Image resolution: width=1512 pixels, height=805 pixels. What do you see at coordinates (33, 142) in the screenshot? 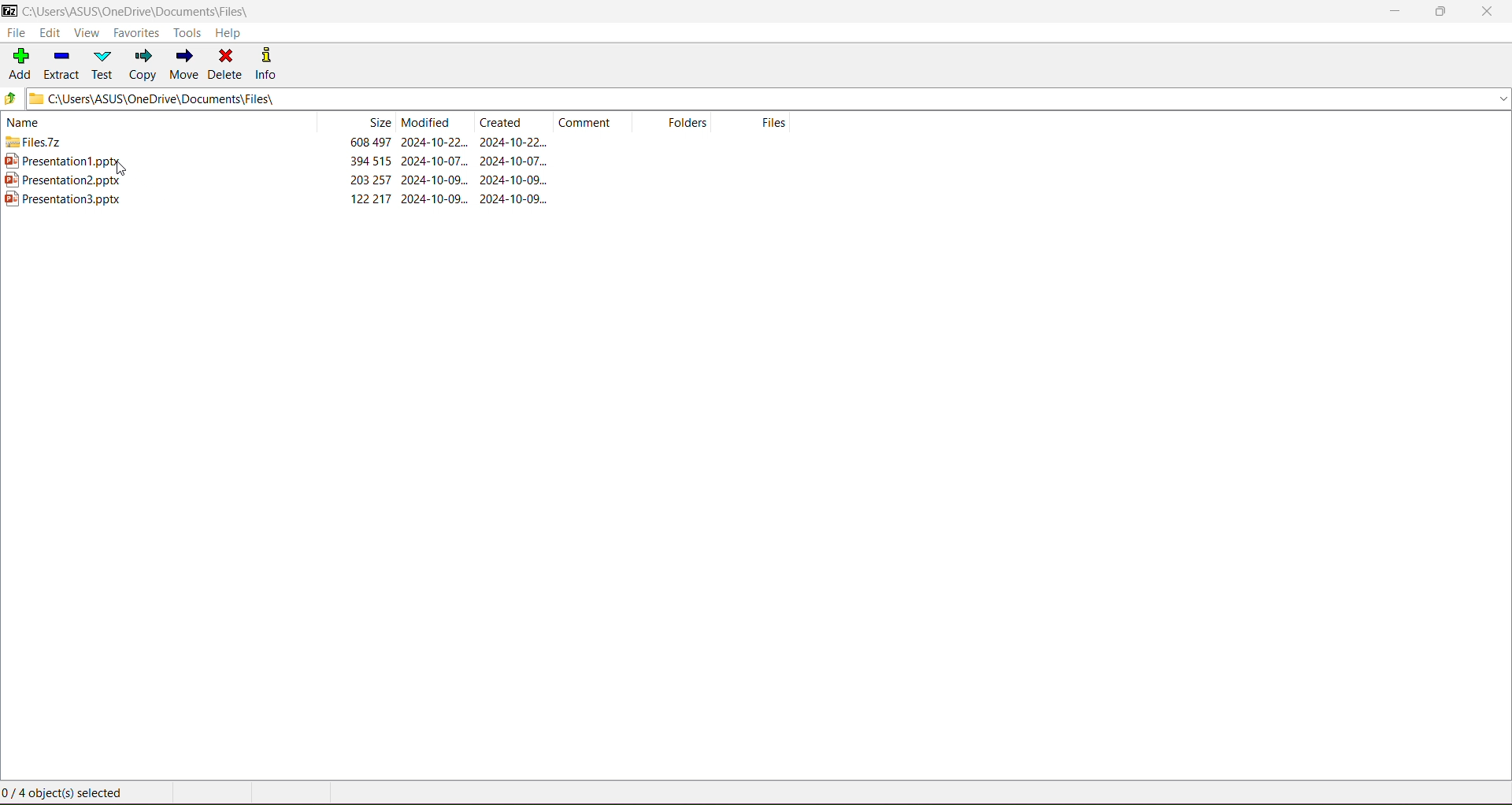
I see `files.7z` at bounding box center [33, 142].